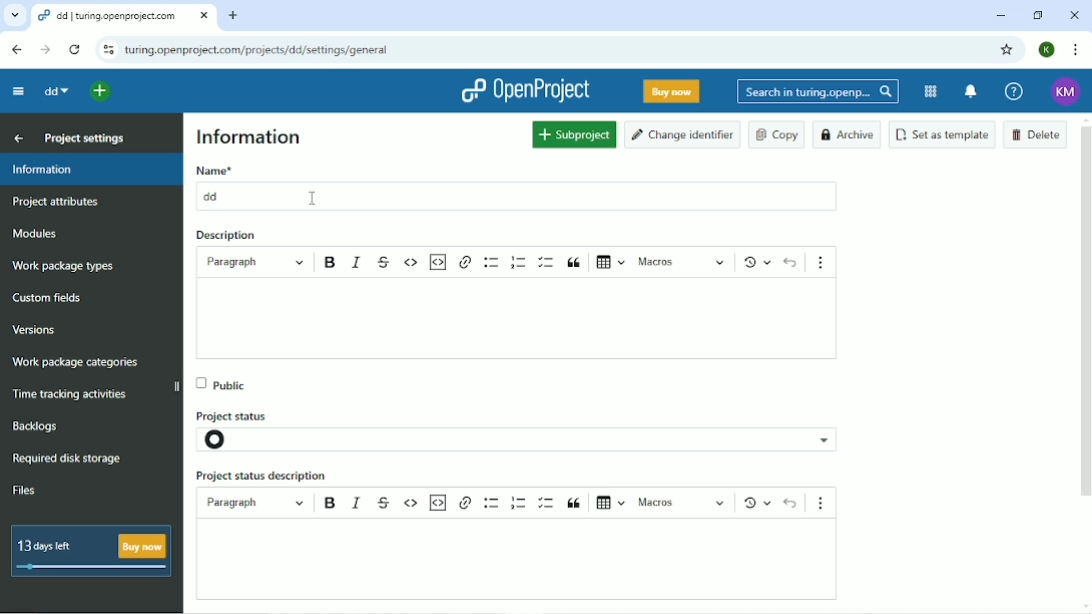 This screenshot has height=614, width=1092. Describe the element at coordinates (214, 170) in the screenshot. I see `Name` at that location.